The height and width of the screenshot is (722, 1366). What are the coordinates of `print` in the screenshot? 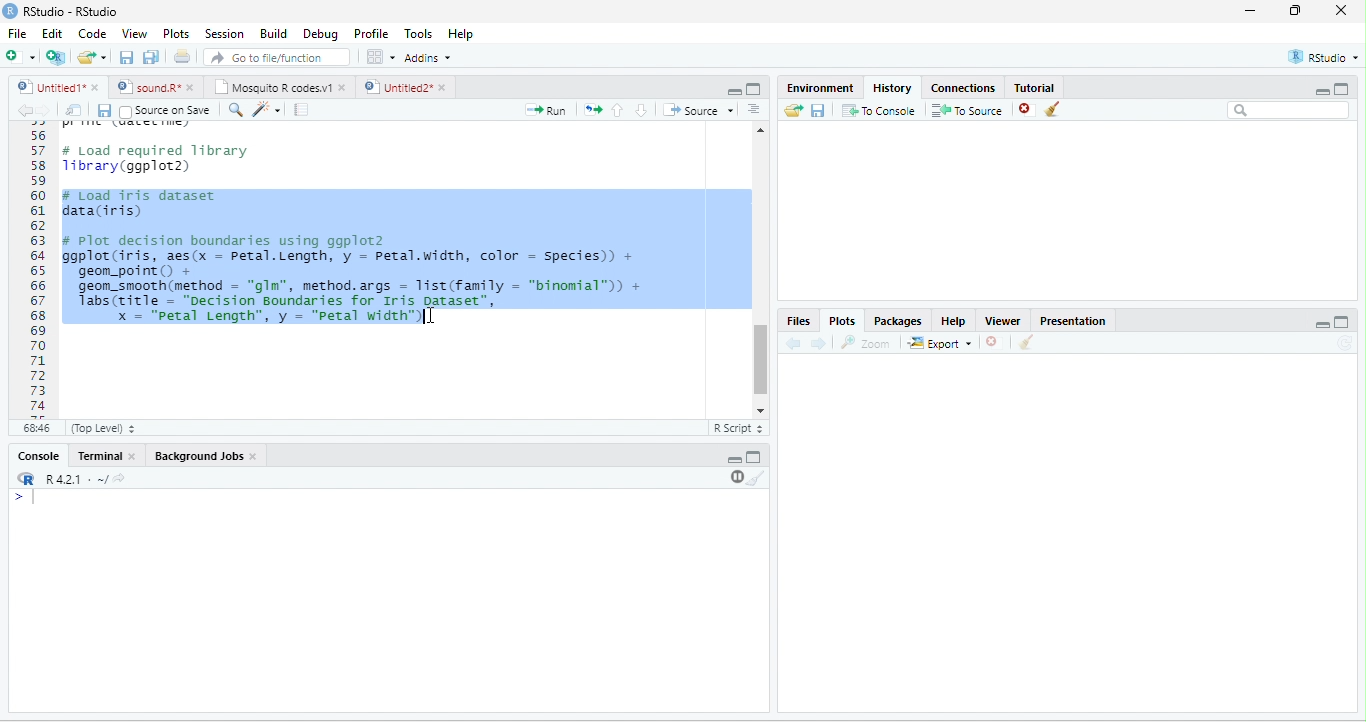 It's located at (181, 56).